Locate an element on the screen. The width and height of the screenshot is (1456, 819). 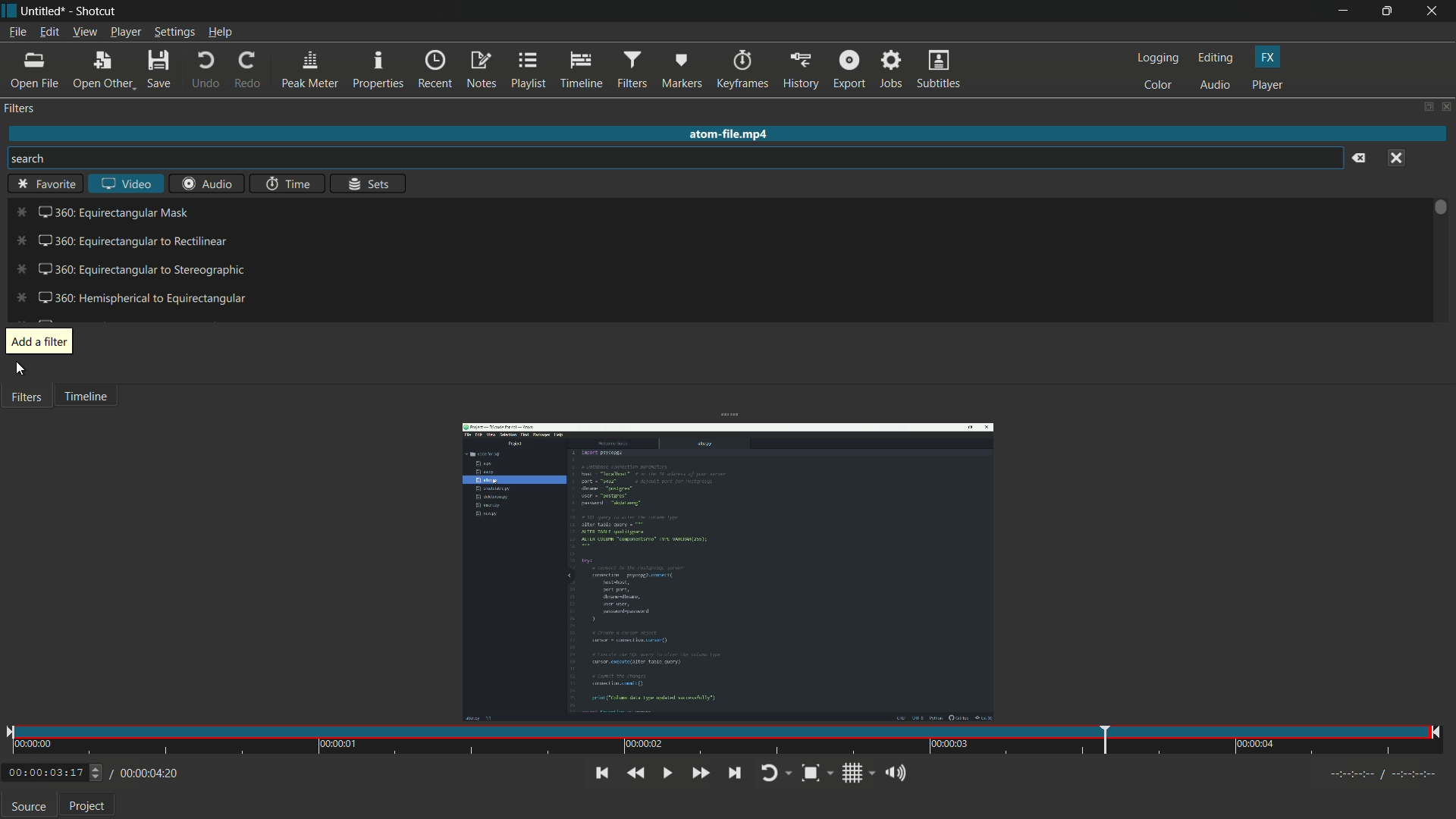
peak meter is located at coordinates (310, 71).